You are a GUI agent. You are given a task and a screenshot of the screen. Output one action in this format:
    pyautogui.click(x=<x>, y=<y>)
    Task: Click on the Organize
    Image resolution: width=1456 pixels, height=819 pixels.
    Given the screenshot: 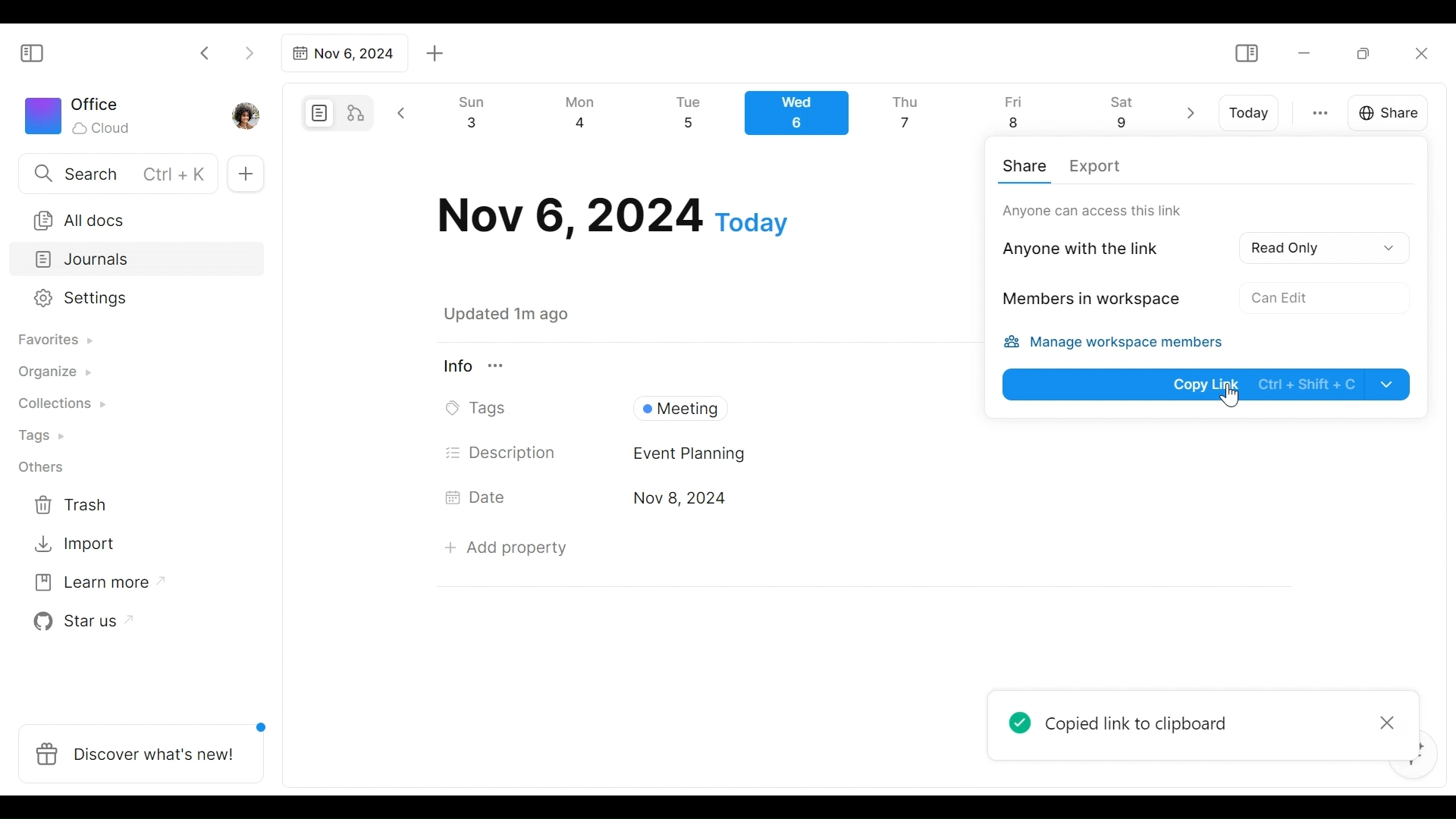 What is the action you would take?
    pyautogui.click(x=53, y=373)
    